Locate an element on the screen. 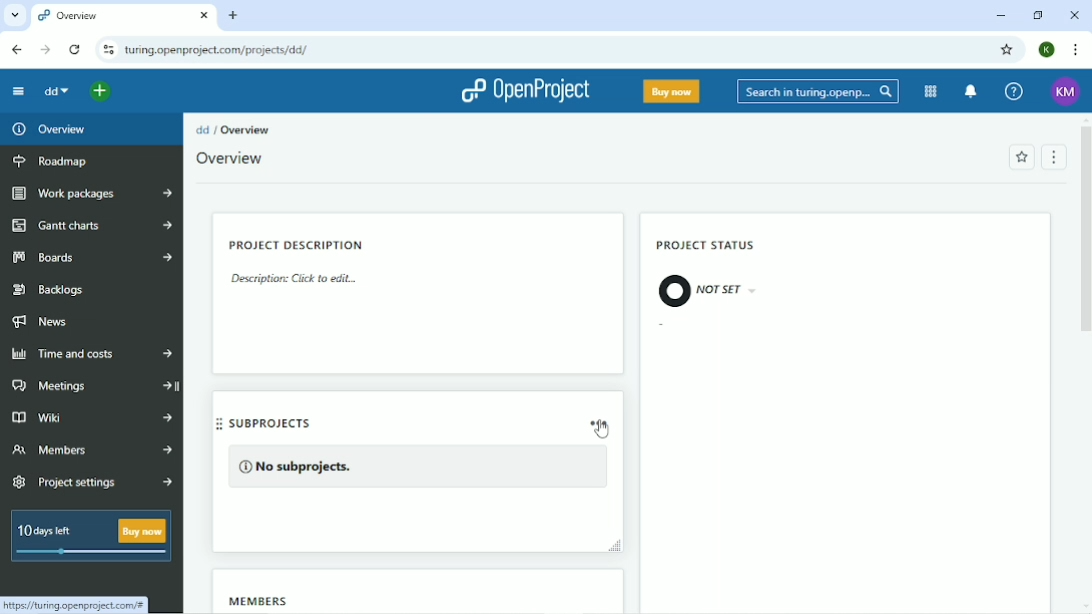 The width and height of the screenshot is (1092, 614). Minimize is located at coordinates (1000, 16).